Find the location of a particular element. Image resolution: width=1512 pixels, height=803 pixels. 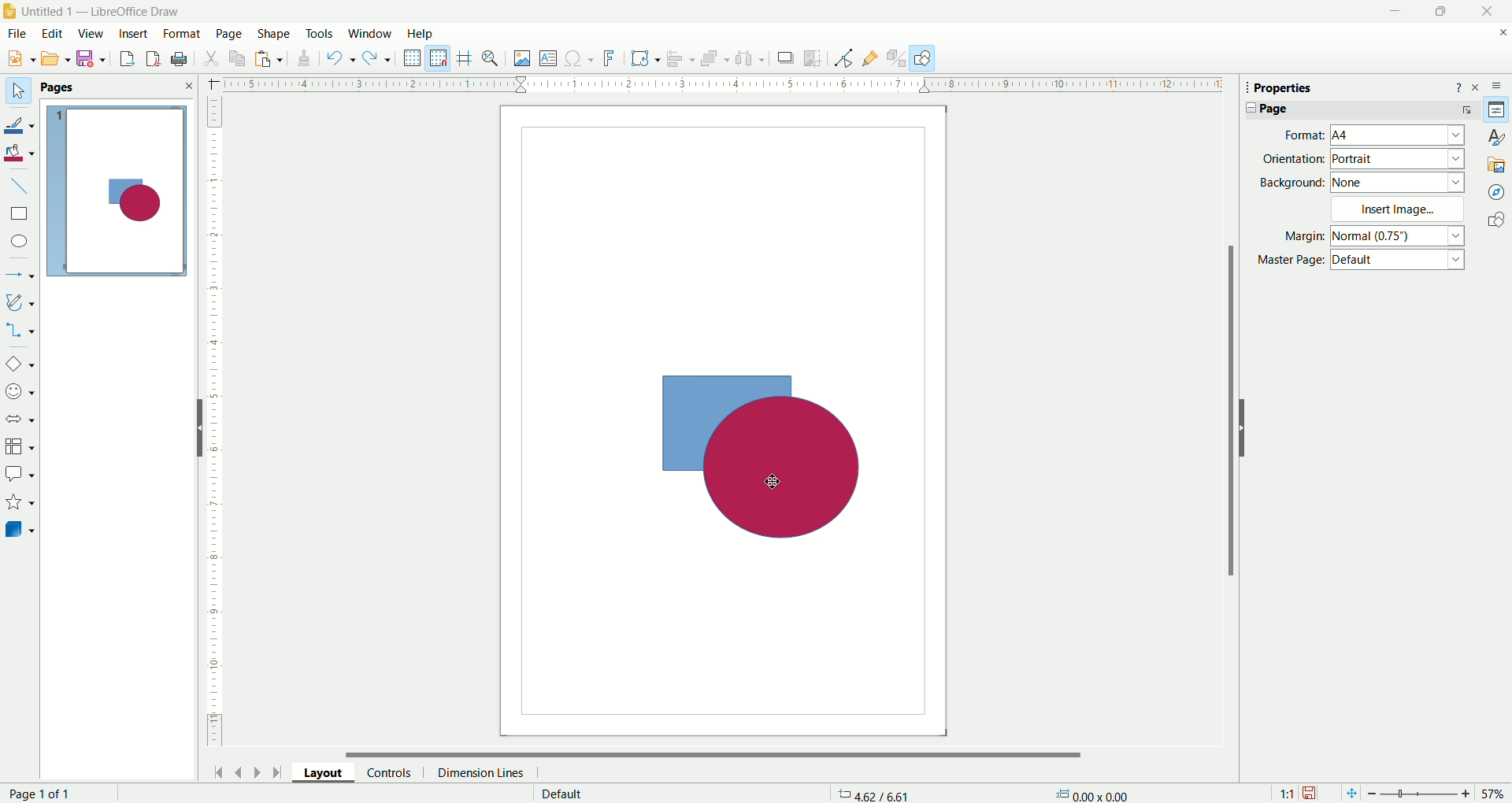

orientation is located at coordinates (1359, 158).